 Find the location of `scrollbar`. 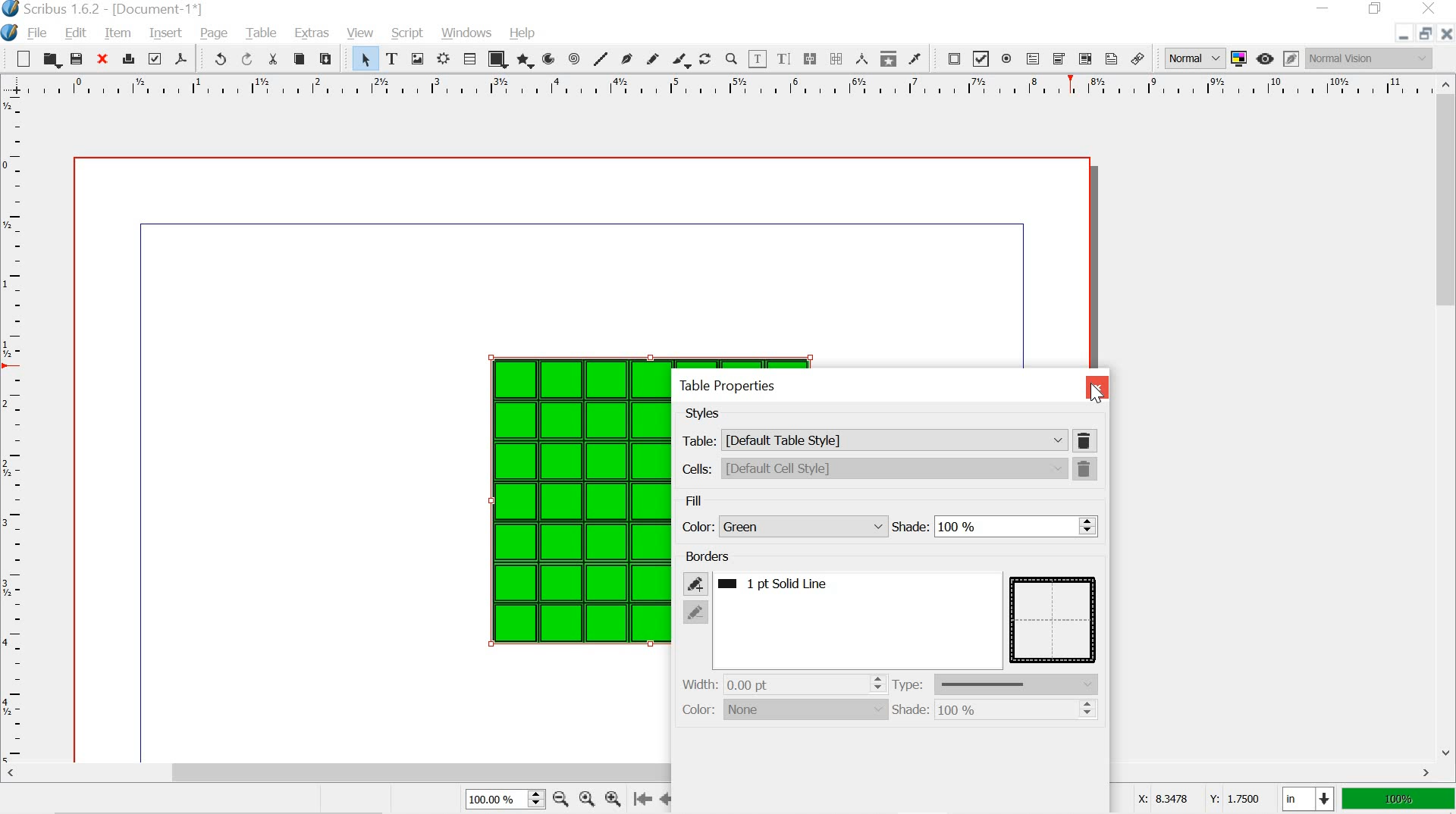

scrollbar is located at coordinates (720, 773).